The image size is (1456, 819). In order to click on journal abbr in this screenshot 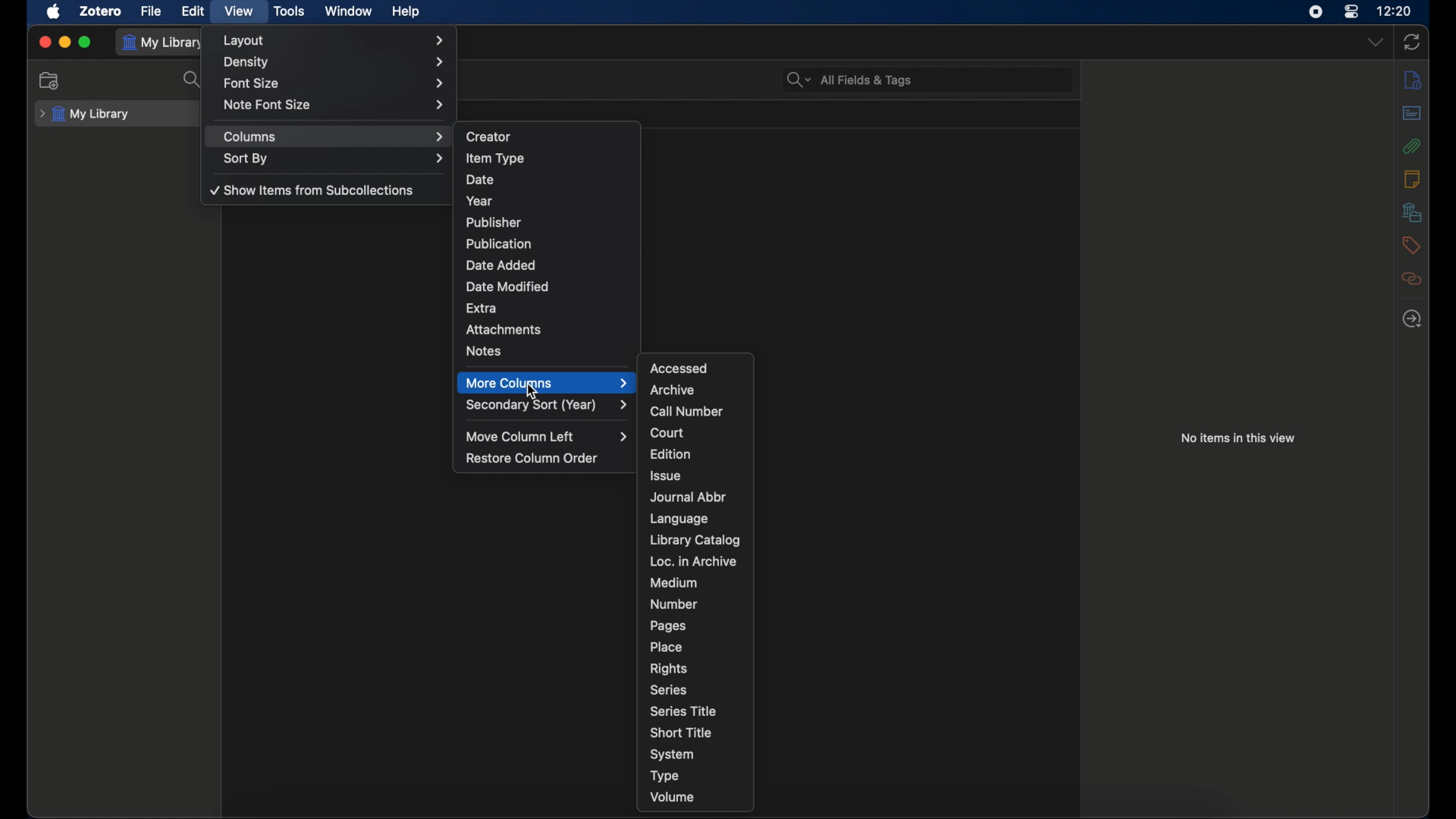, I will do `click(688, 497)`.